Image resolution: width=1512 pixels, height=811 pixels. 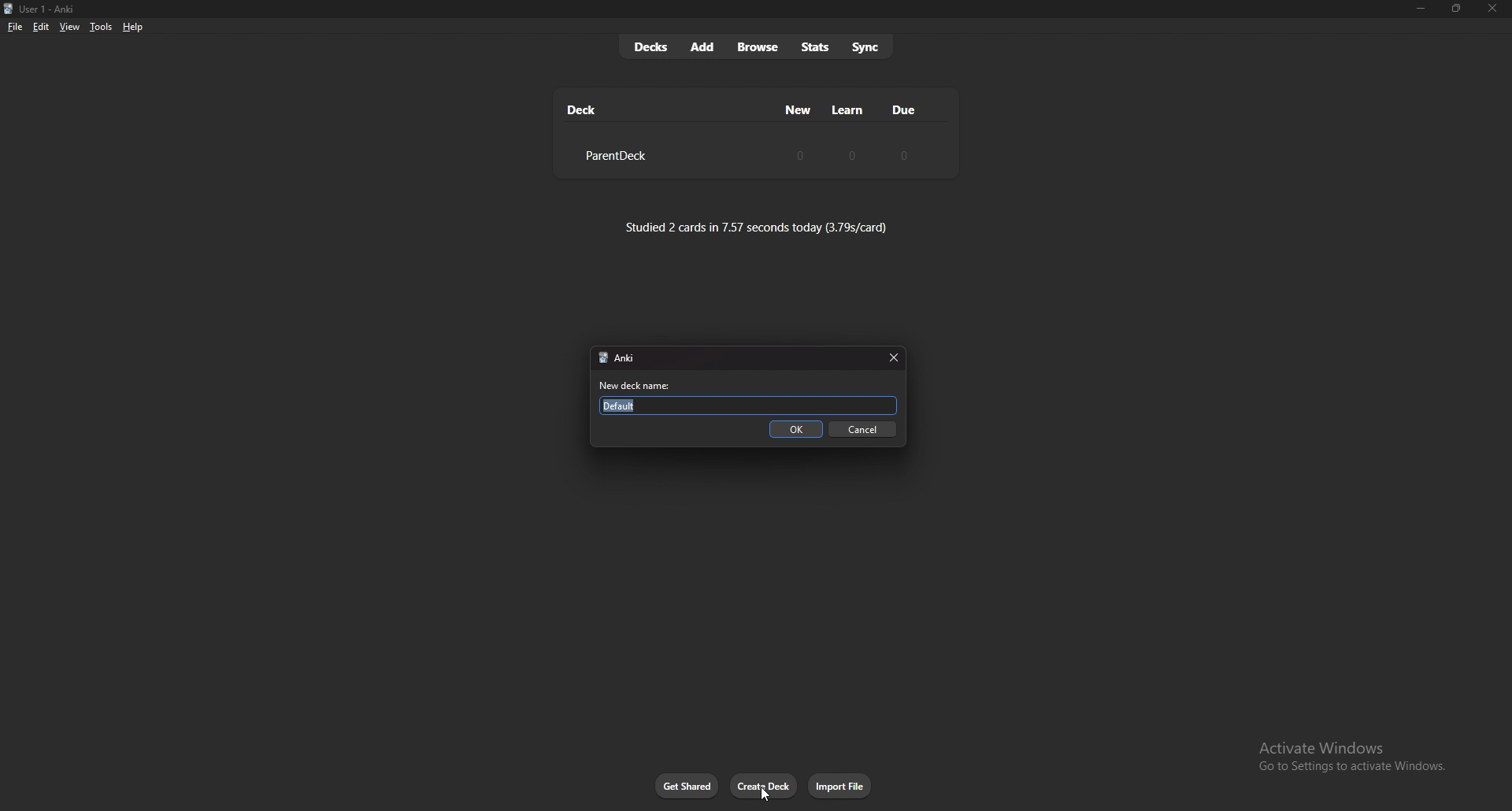 What do you see at coordinates (799, 109) in the screenshot?
I see `new` at bounding box center [799, 109].